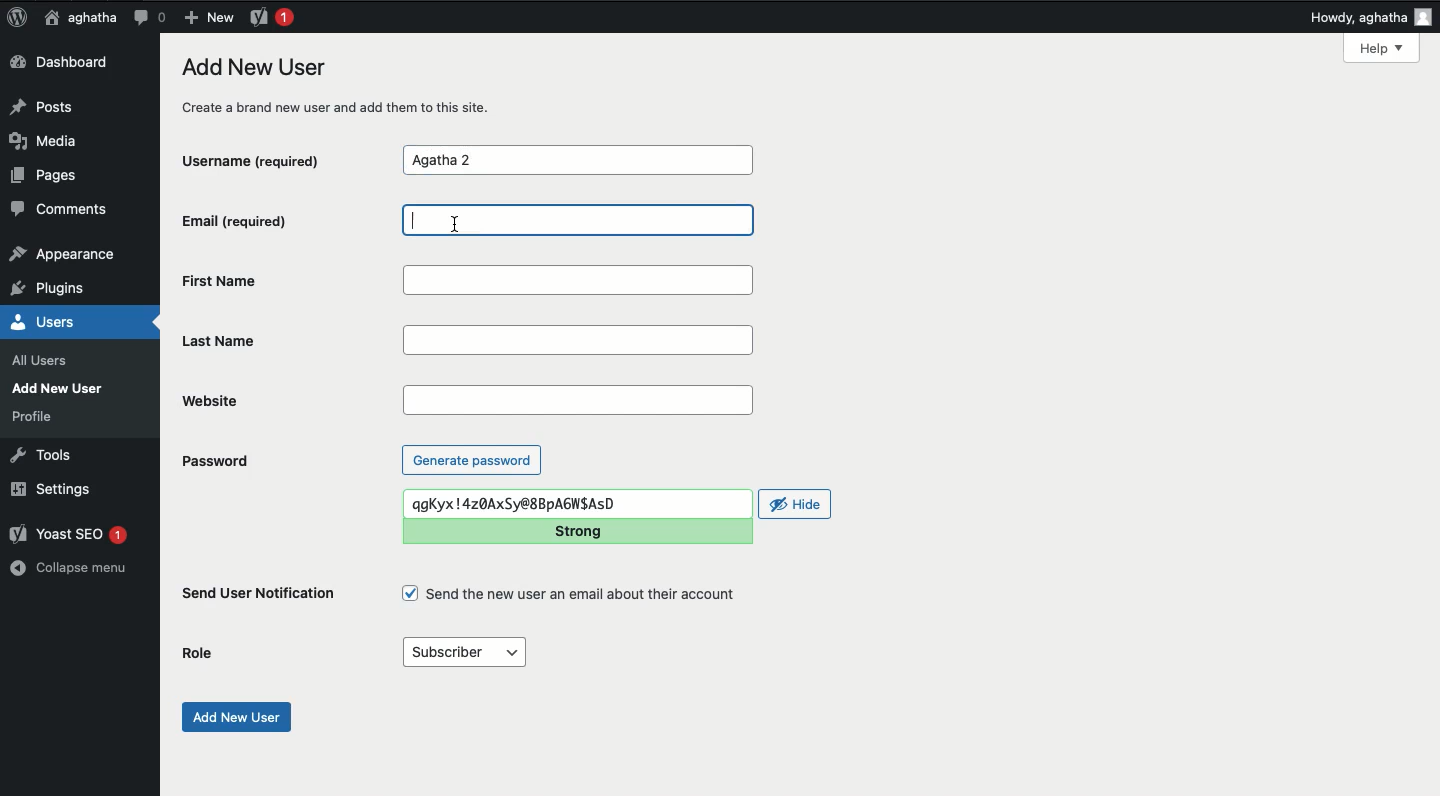 The height and width of the screenshot is (796, 1440). What do you see at coordinates (579, 280) in the screenshot?
I see `First name` at bounding box center [579, 280].